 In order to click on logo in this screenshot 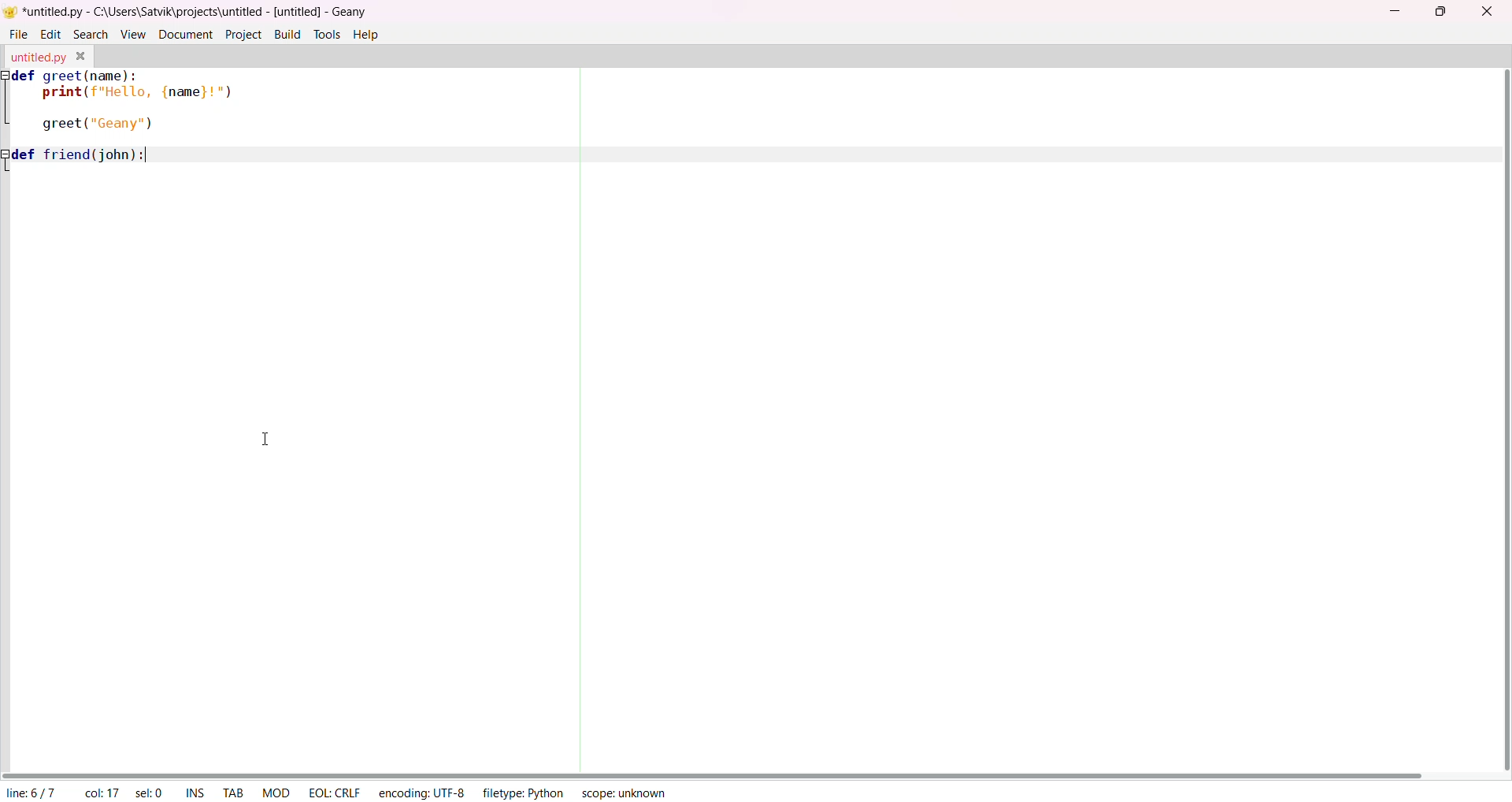, I will do `click(13, 15)`.